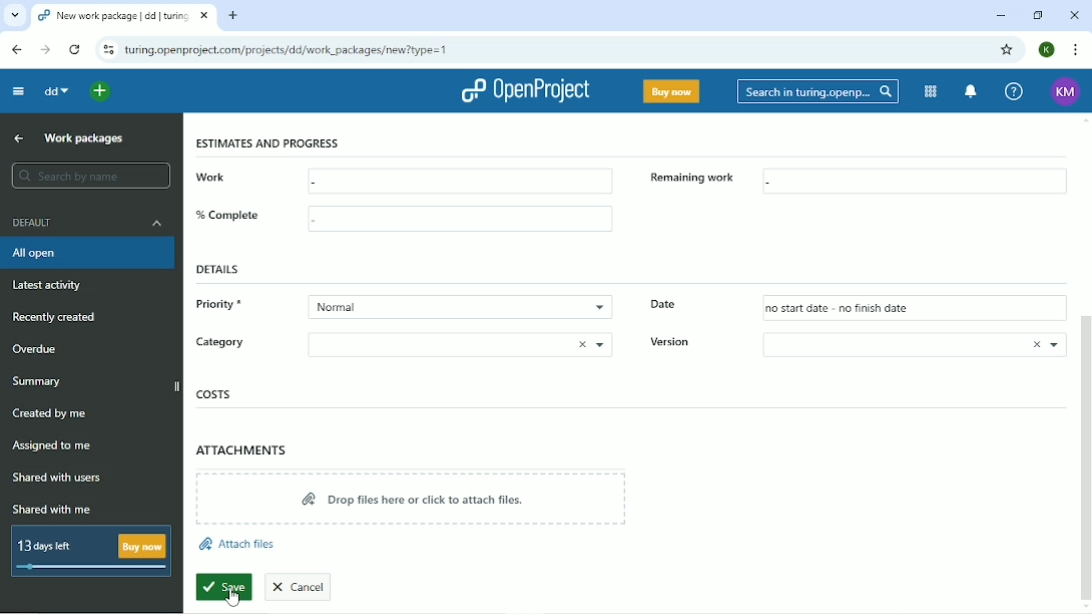  What do you see at coordinates (1046, 49) in the screenshot?
I see `K` at bounding box center [1046, 49].